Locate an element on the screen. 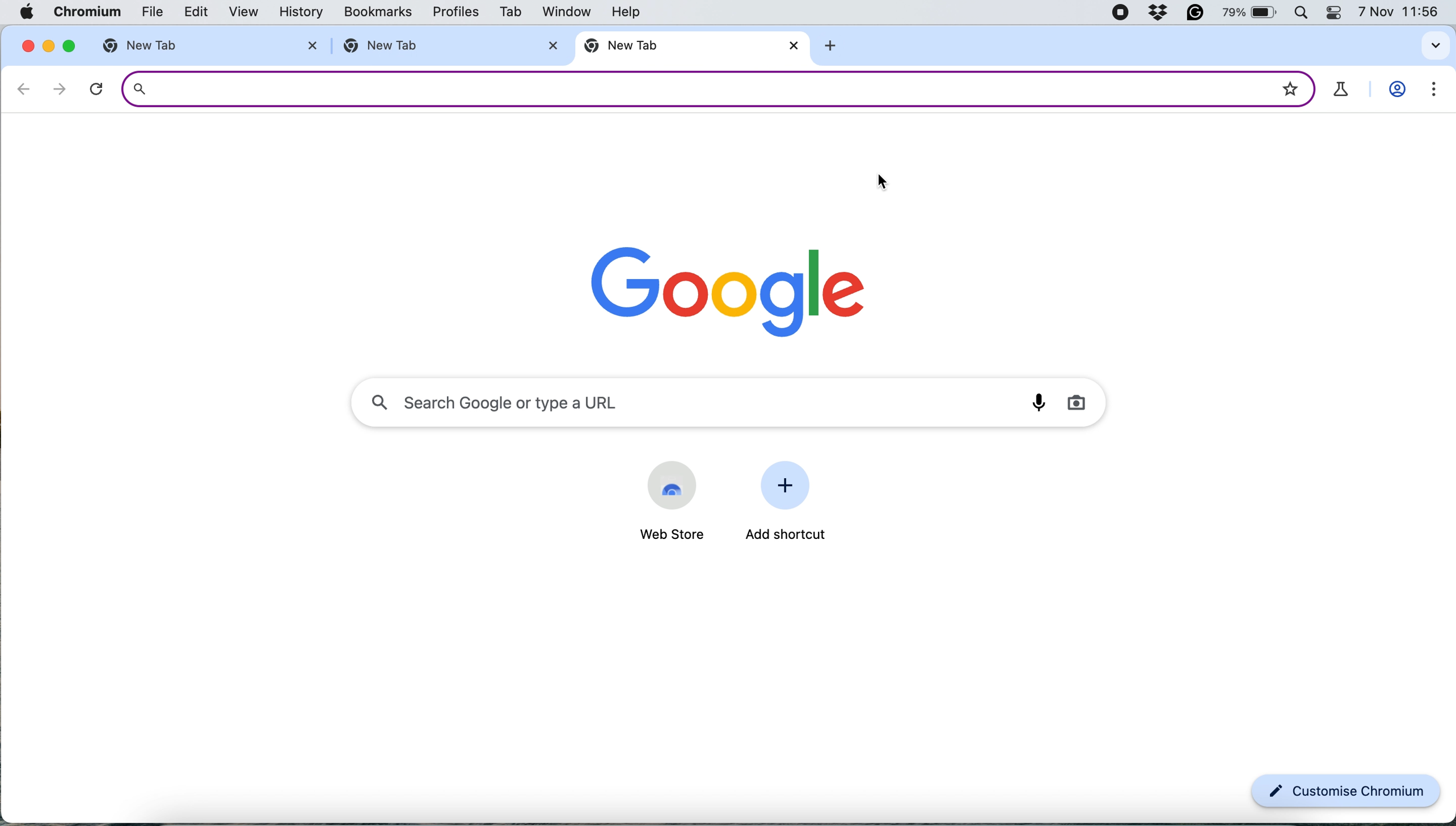 The height and width of the screenshot is (826, 1456). new tab is located at coordinates (431, 47).